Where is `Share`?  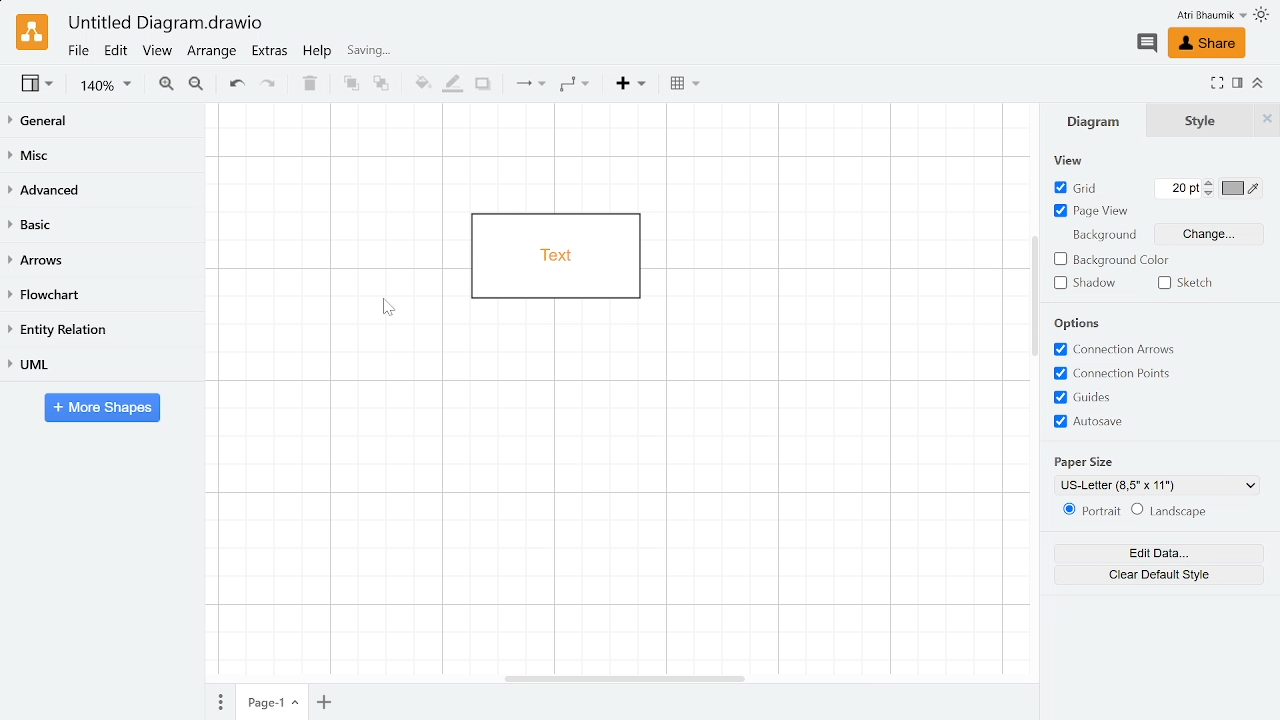 Share is located at coordinates (1205, 44).